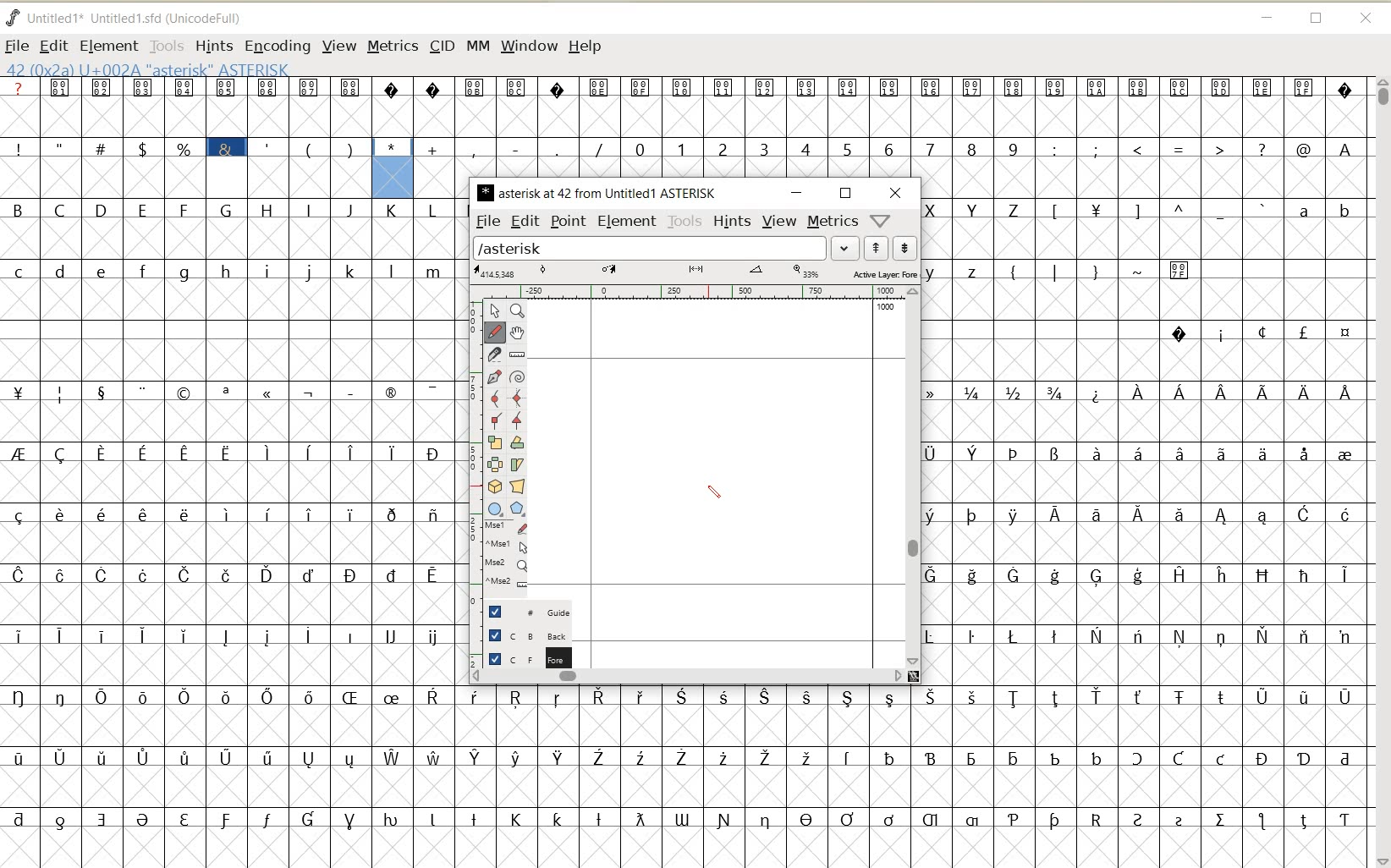 This screenshot has height=868, width=1391. Describe the element at coordinates (166, 46) in the screenshot. I see `TOOLS` at that location.